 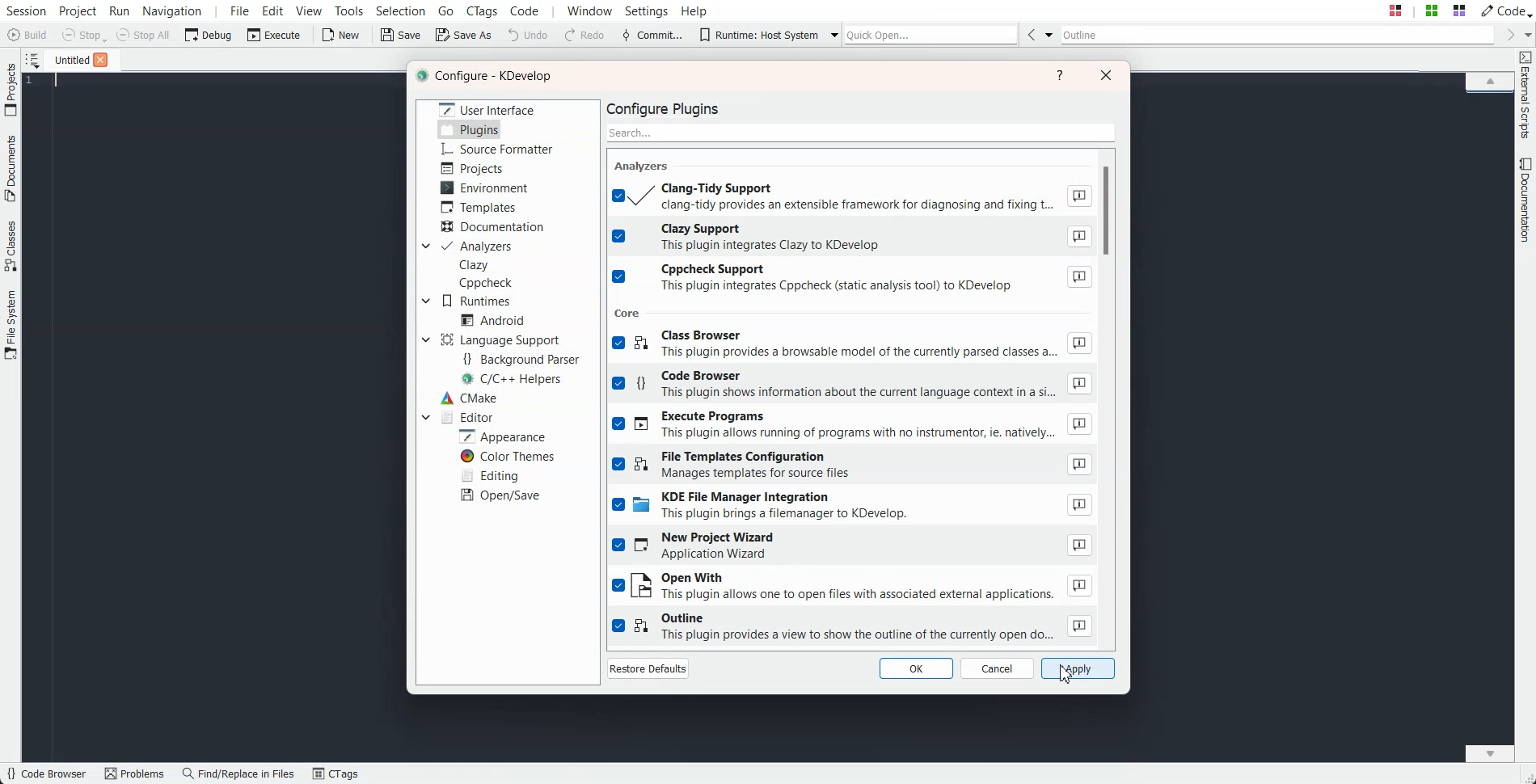 I want to click on CTags, so click(x=335, y=774).